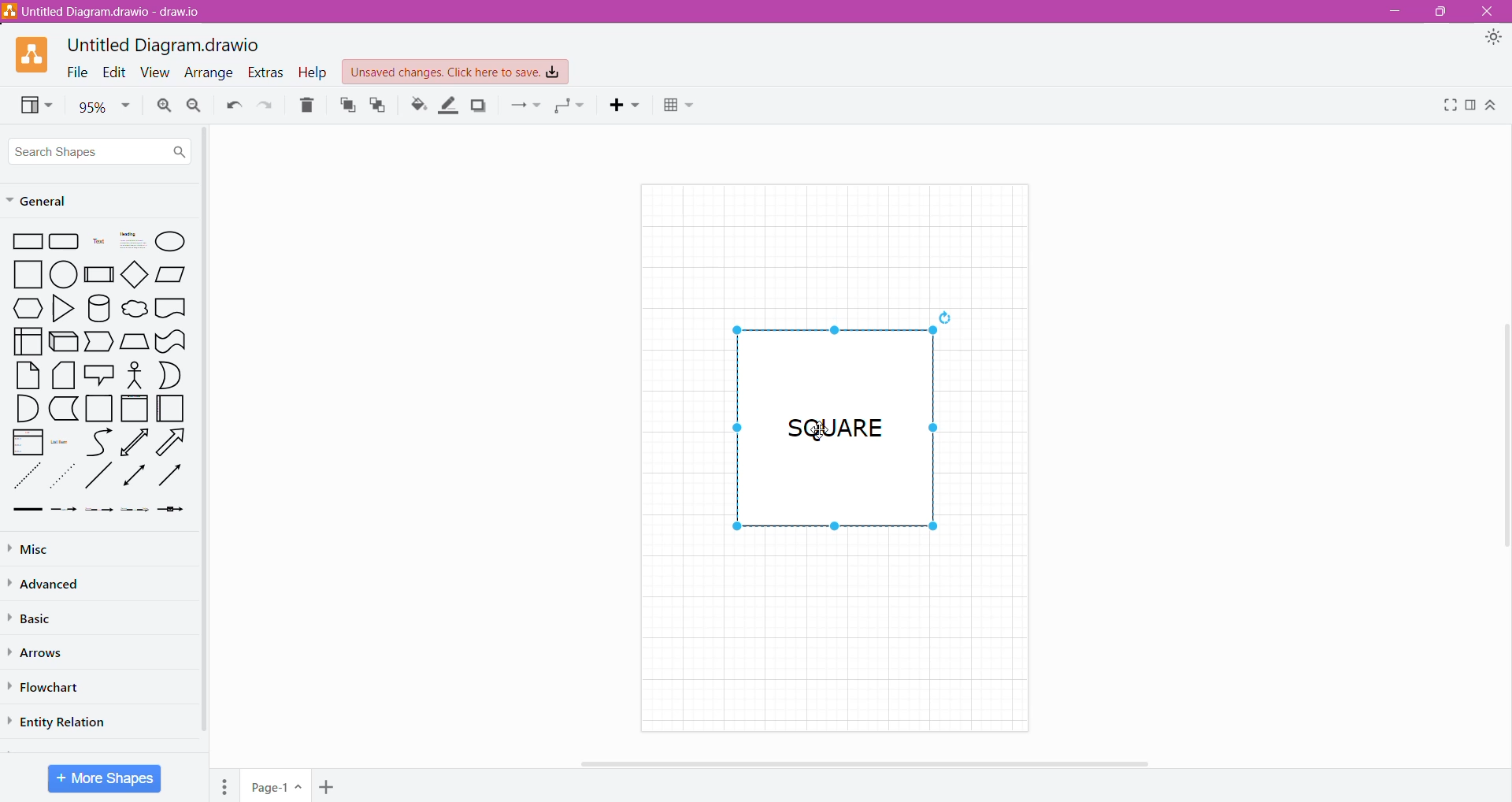  I want to click on List box, so click(24, 444).